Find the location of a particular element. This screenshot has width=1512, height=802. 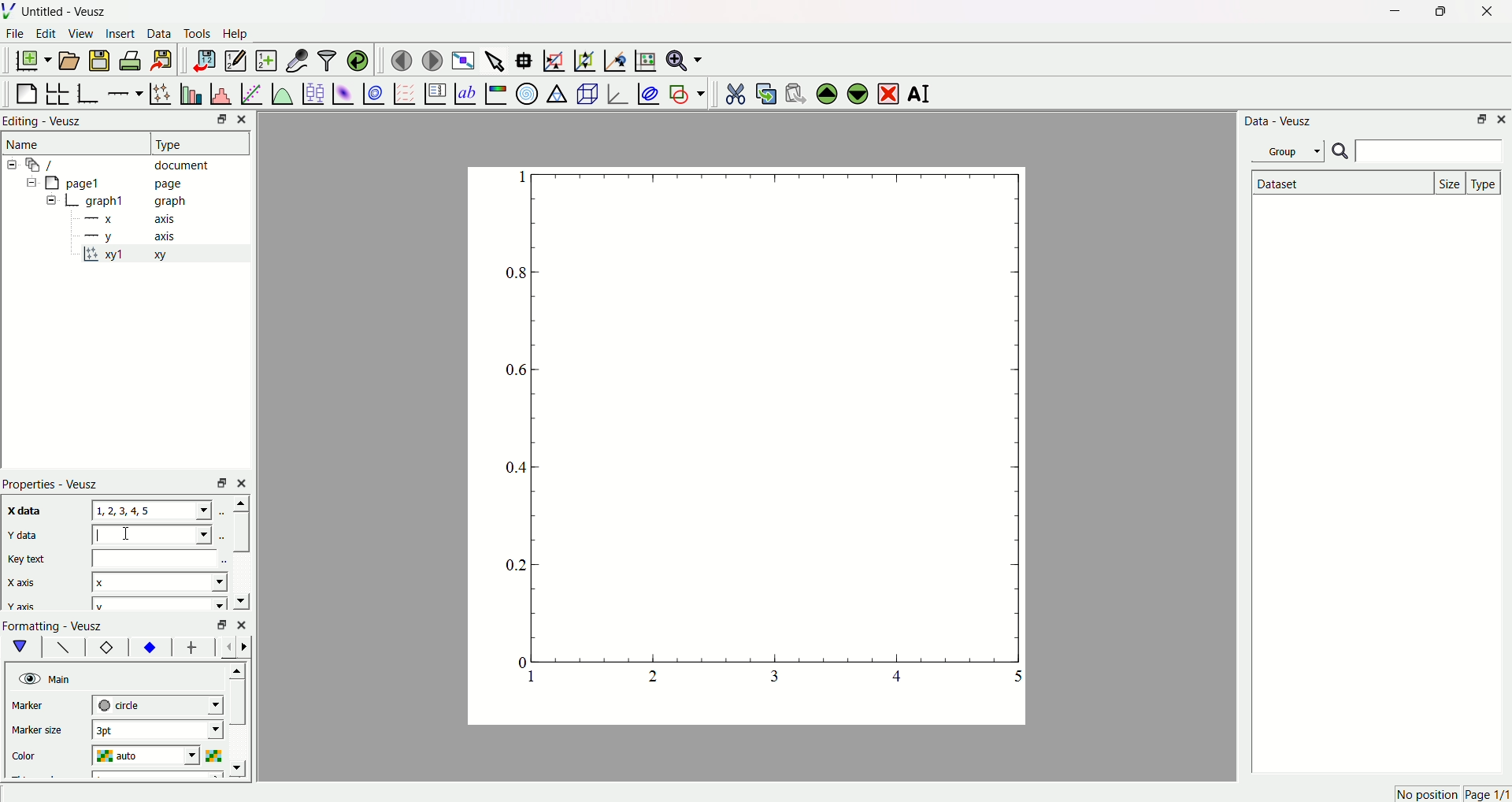

edit and entry new datasets is located at coordinates (235, 62).